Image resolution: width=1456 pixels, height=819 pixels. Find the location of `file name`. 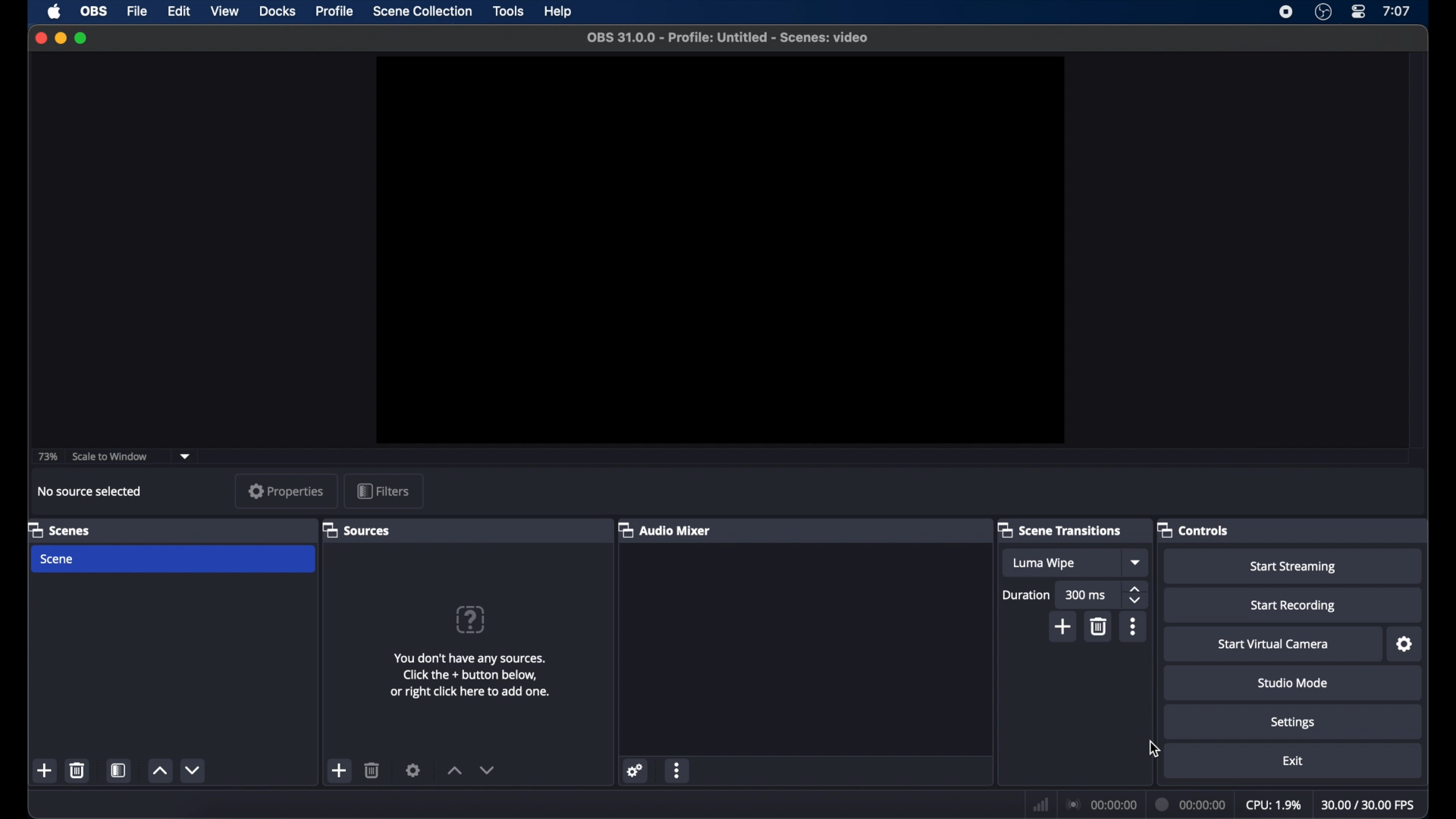

file name is located at coordinates (727, 38).